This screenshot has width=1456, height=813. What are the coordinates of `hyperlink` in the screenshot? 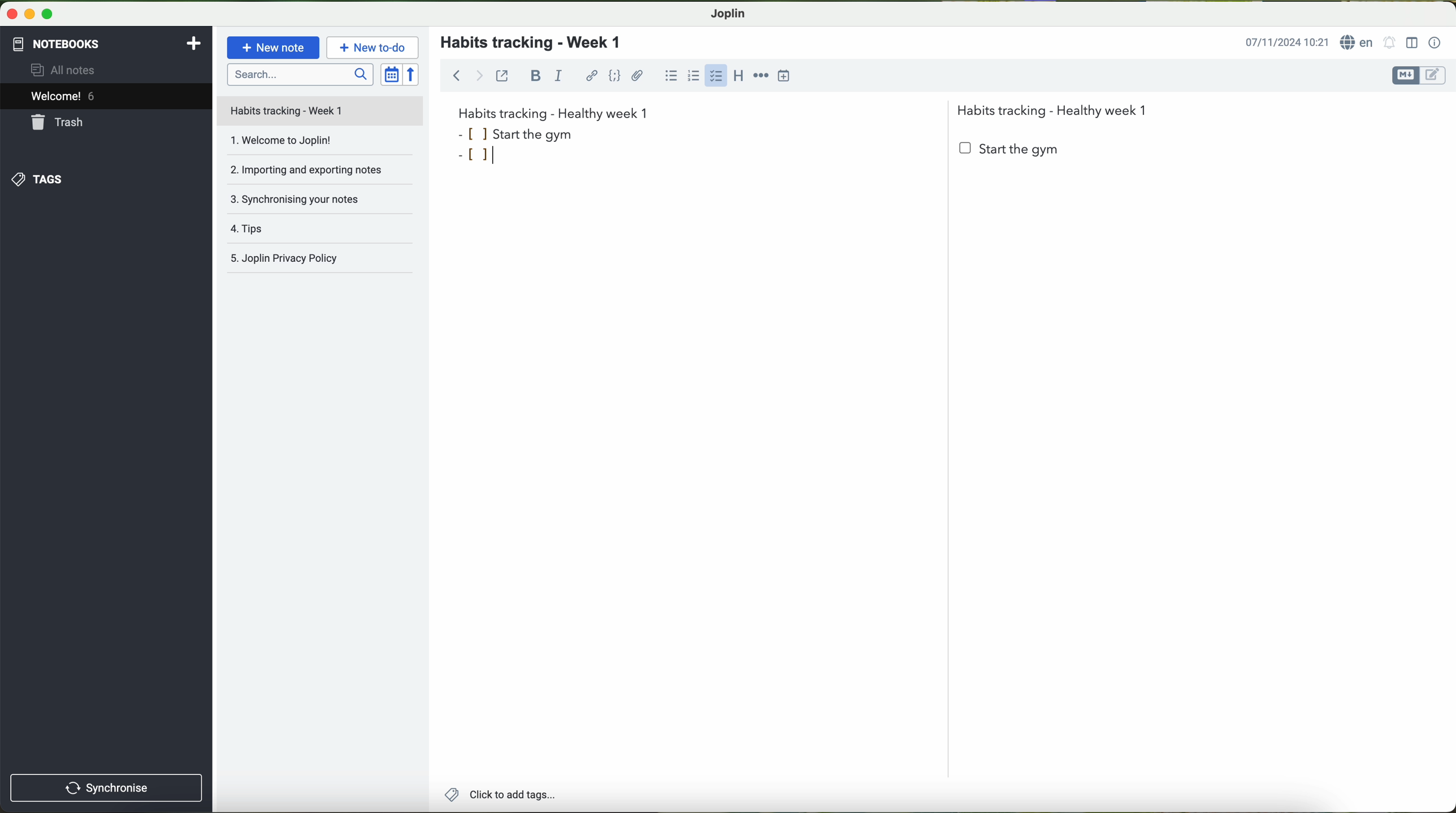 It's located at (592, 76).